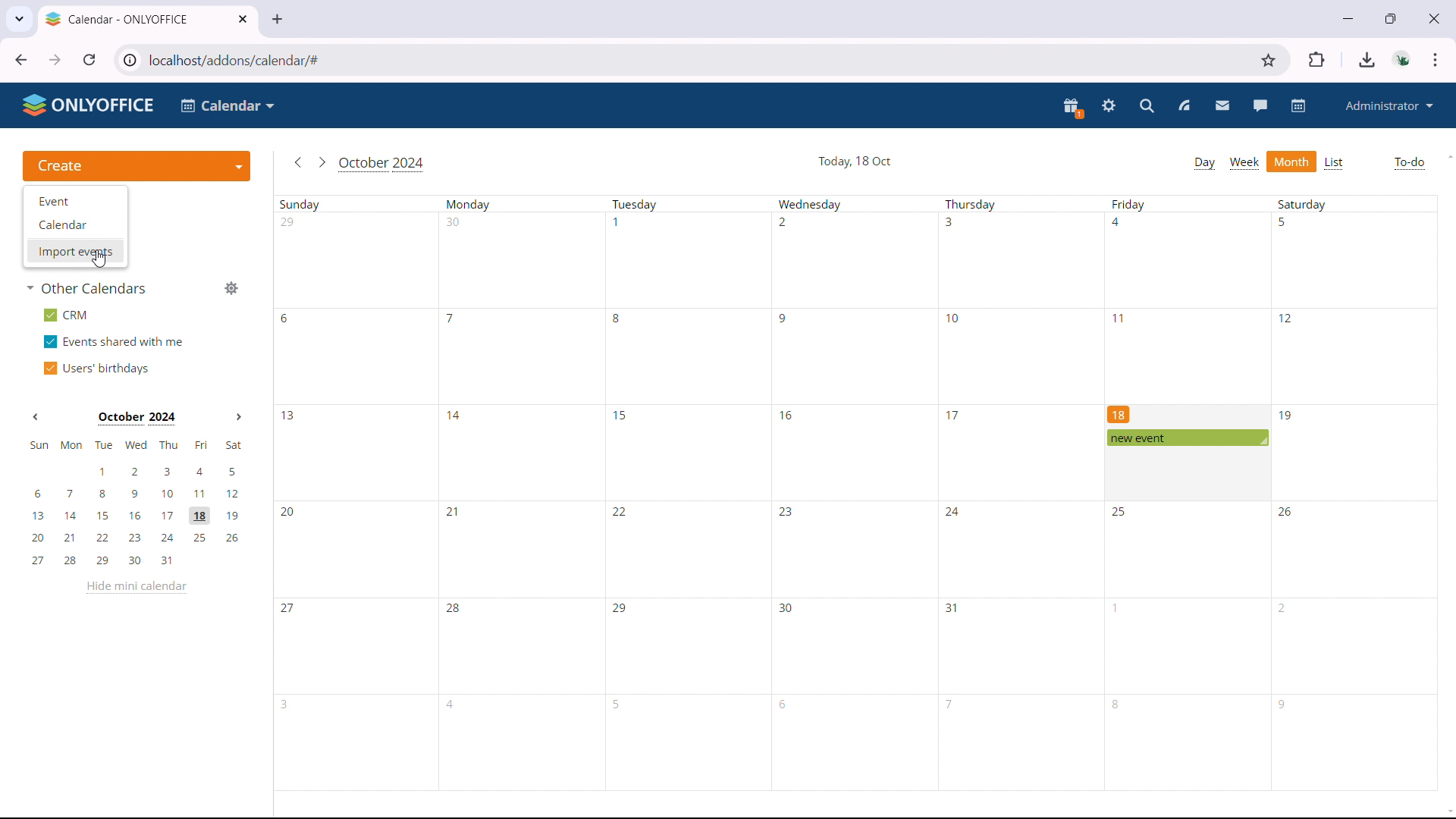 This screenshot has height=819, width=1456. Describe the element at coordinates (1286, 317) in the screenshot. I see `12` at that location.